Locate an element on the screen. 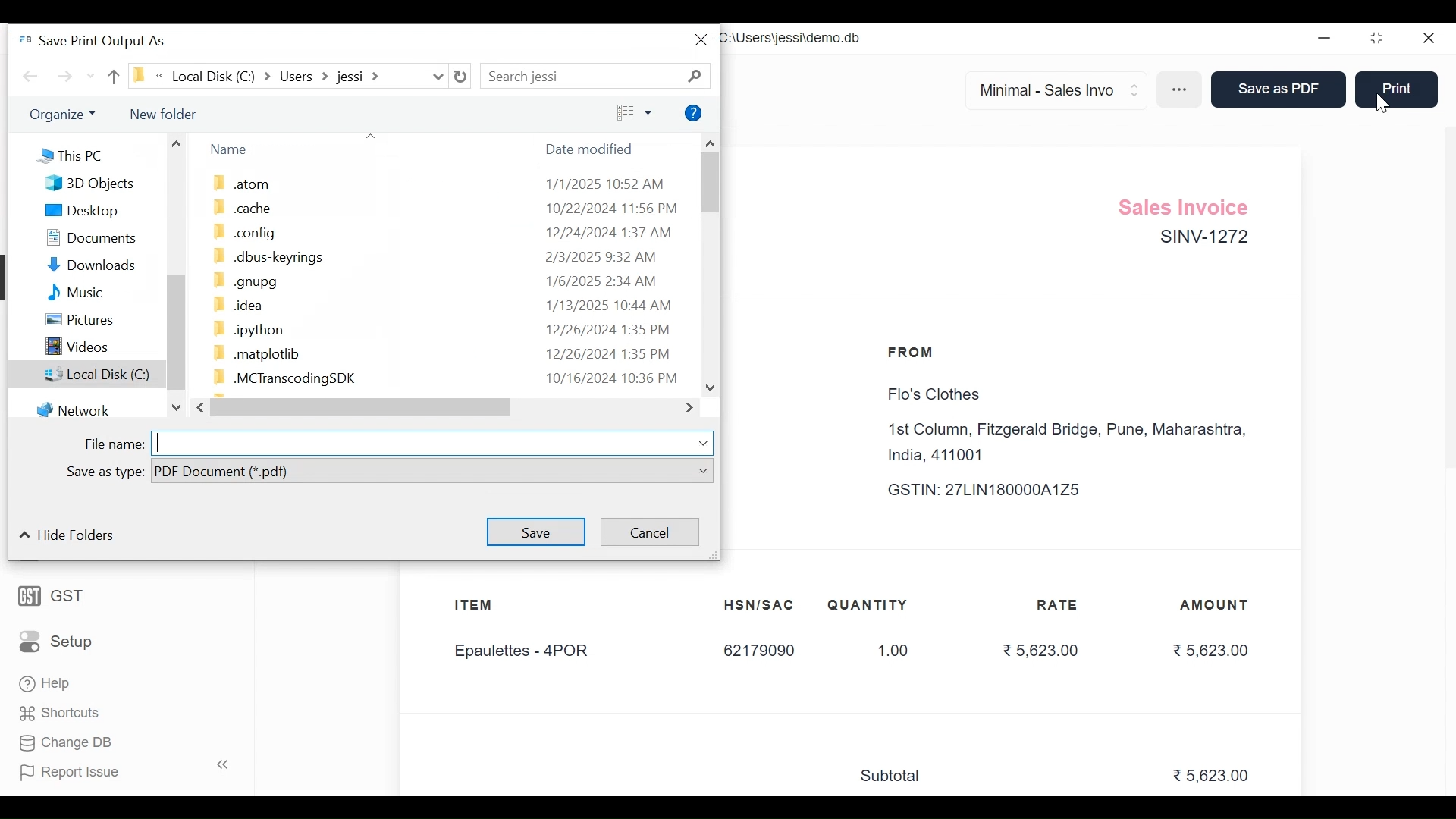  Vertical Scroll bar is located at coordinates (708, 182).